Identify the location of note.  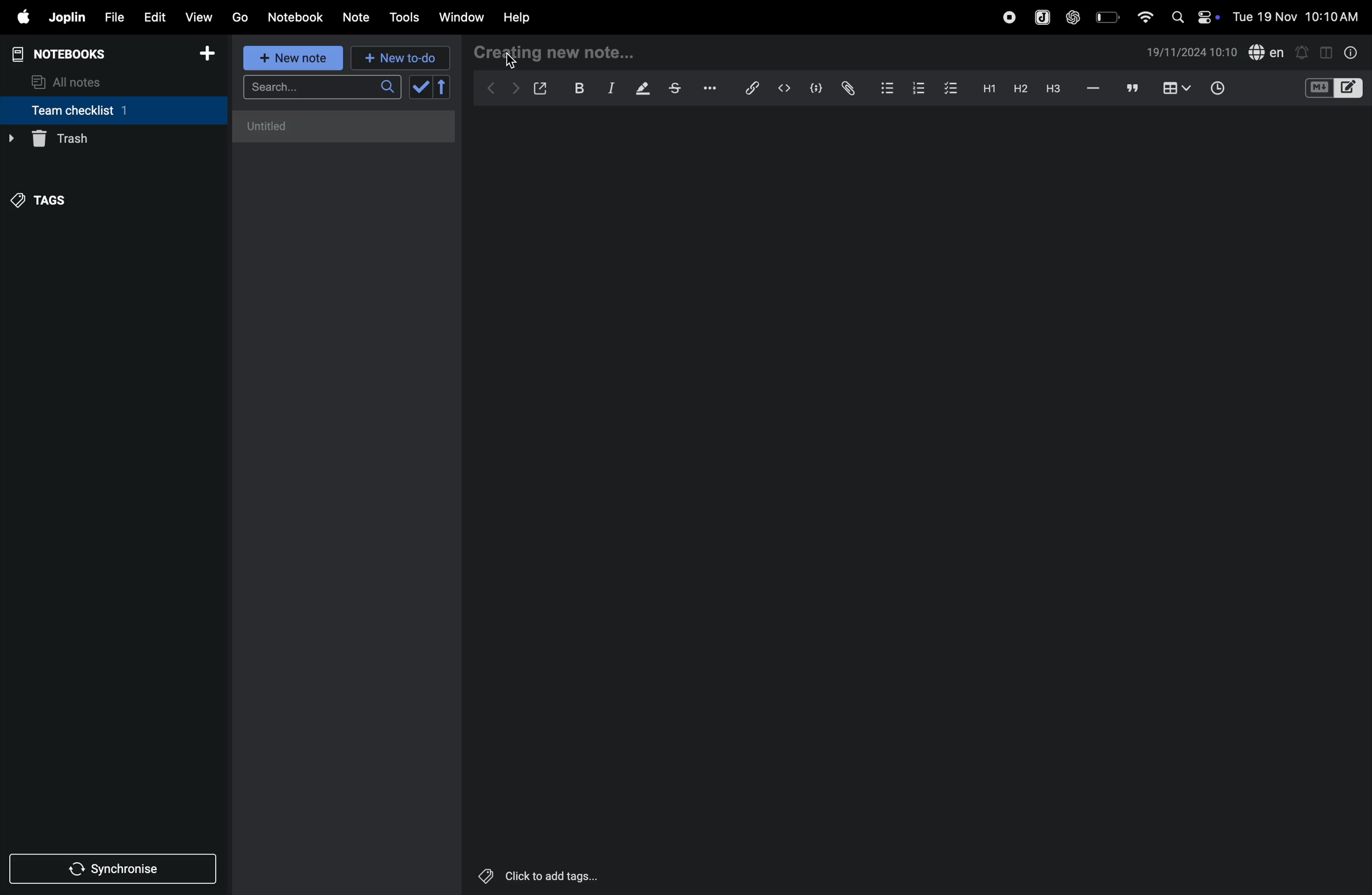
(361, 16).